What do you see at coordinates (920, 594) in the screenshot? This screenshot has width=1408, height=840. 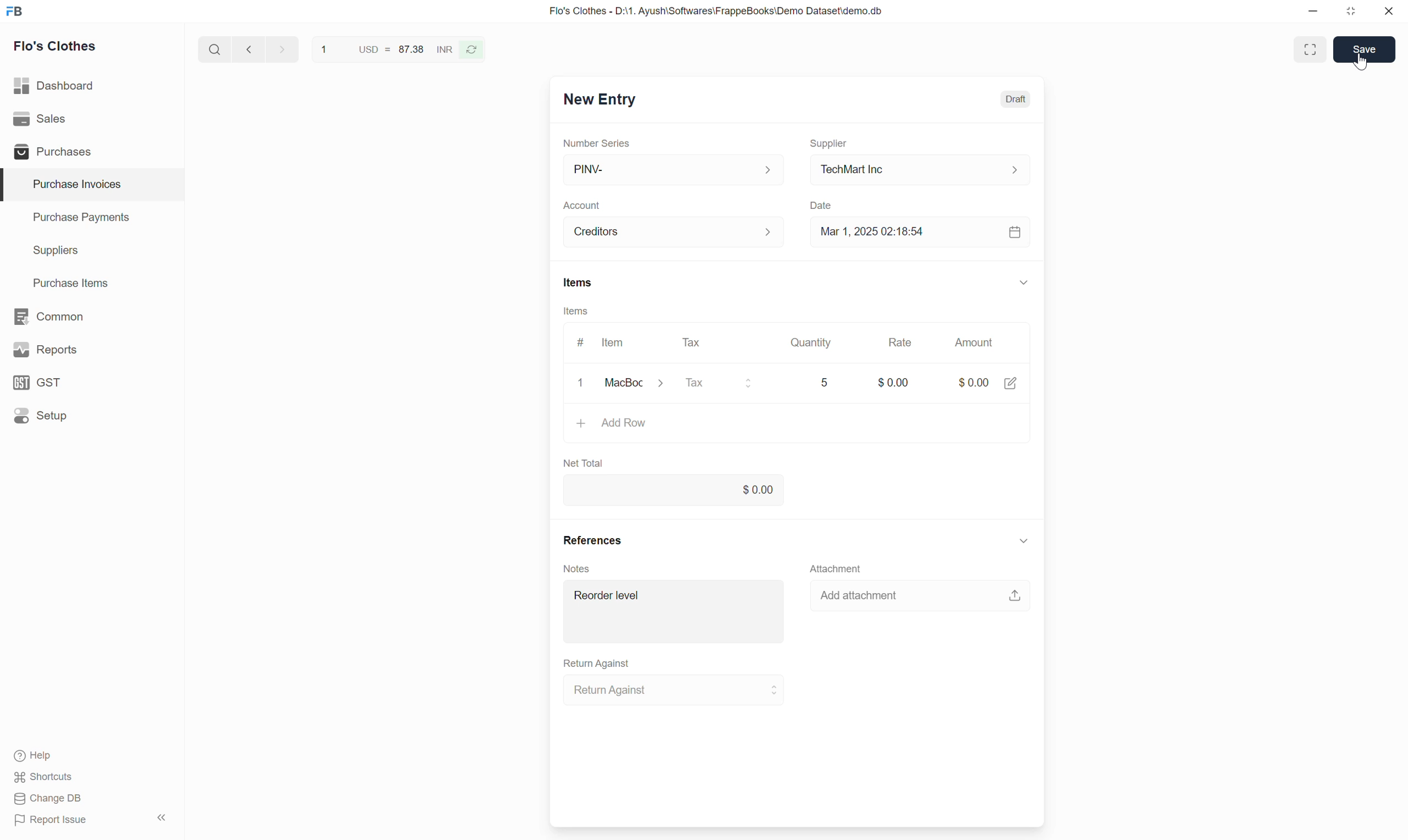 I see `Add attachment` at bounding box center [920, 594].